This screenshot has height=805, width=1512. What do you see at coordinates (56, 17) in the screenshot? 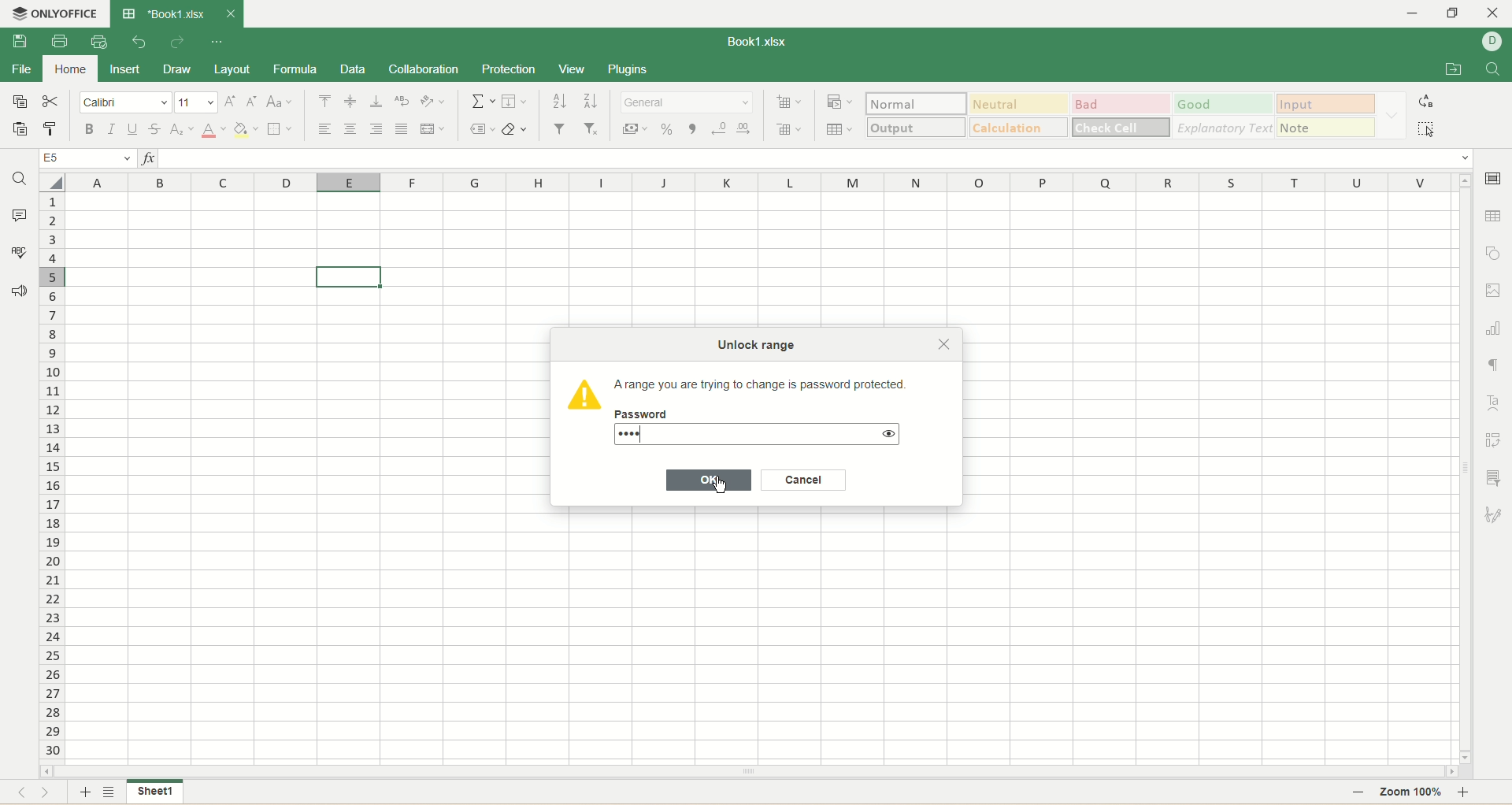
I see `onlyoffice` at bounding box center [56, 17].